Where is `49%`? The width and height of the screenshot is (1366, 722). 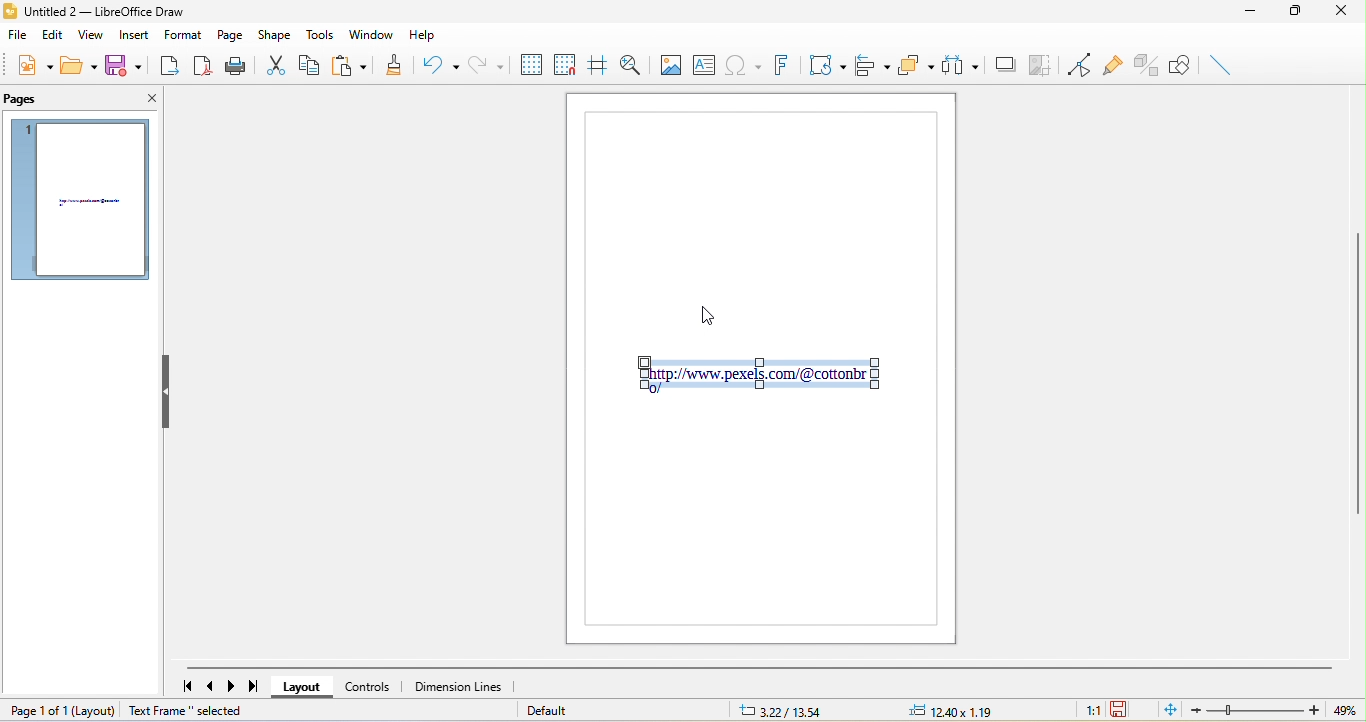 49% is located at coordinates (1347, 710).